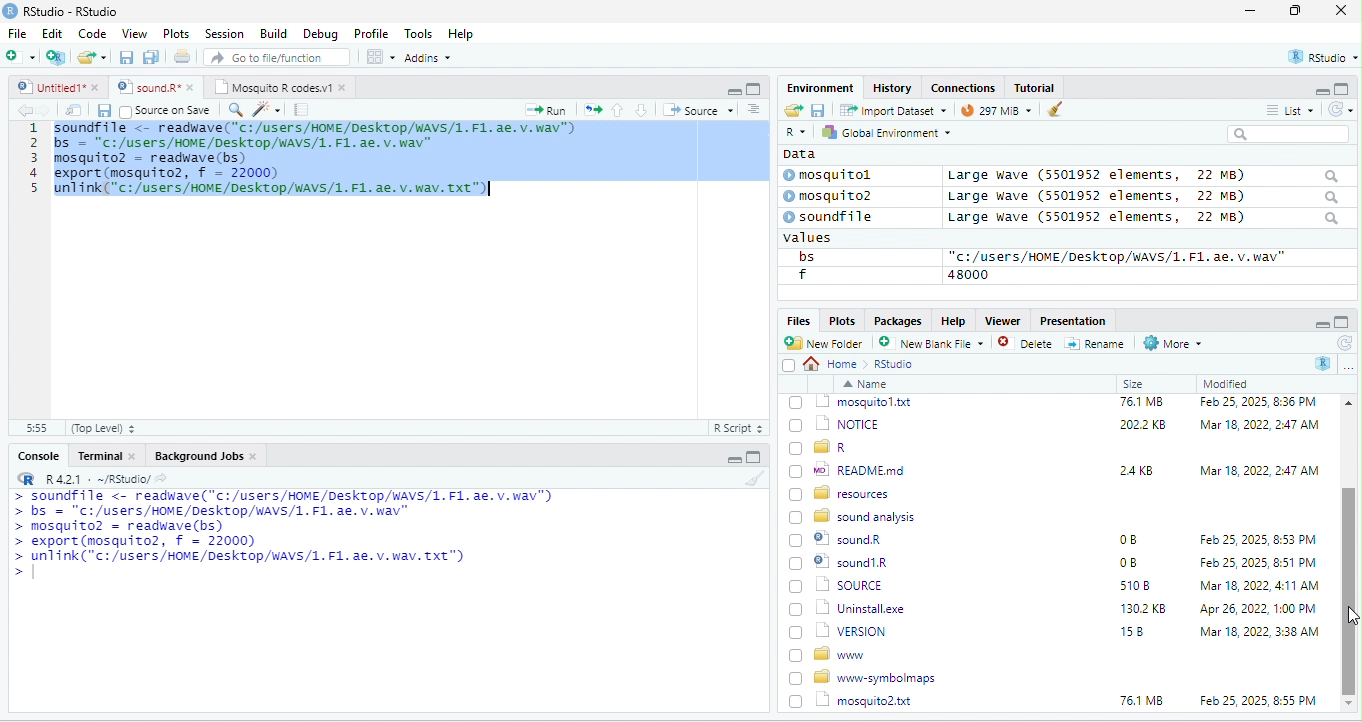 This screenshot has height=722, width=1362. What do you see at coordinates (1028, 344) in the screenshot?
I see `Delete` at bounding box center [1028, 344].